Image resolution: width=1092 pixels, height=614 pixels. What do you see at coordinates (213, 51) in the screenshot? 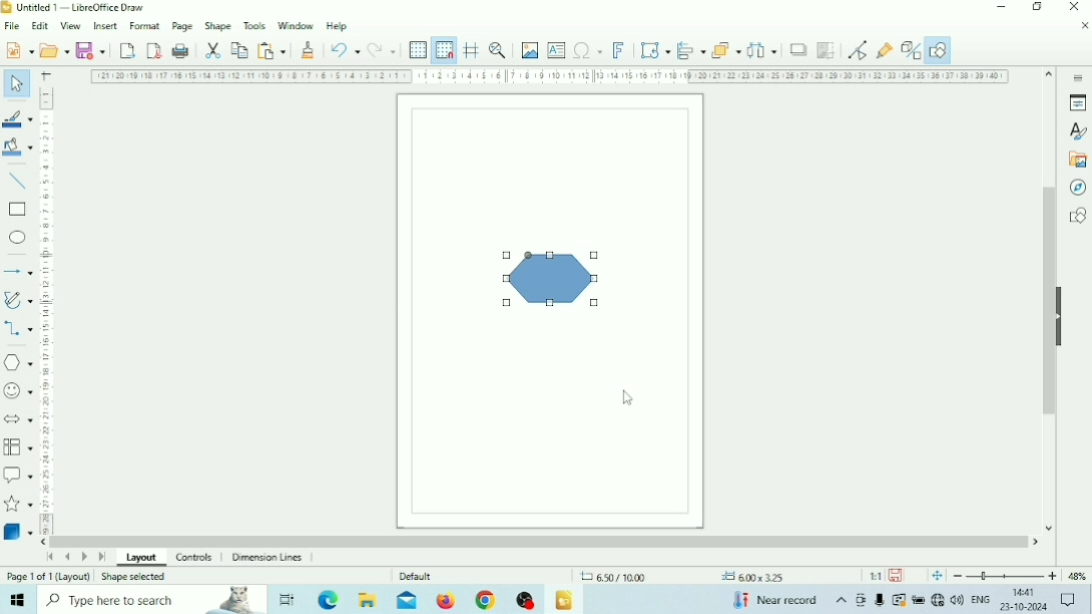
I see `Cut` at bounding box center [213, 51].